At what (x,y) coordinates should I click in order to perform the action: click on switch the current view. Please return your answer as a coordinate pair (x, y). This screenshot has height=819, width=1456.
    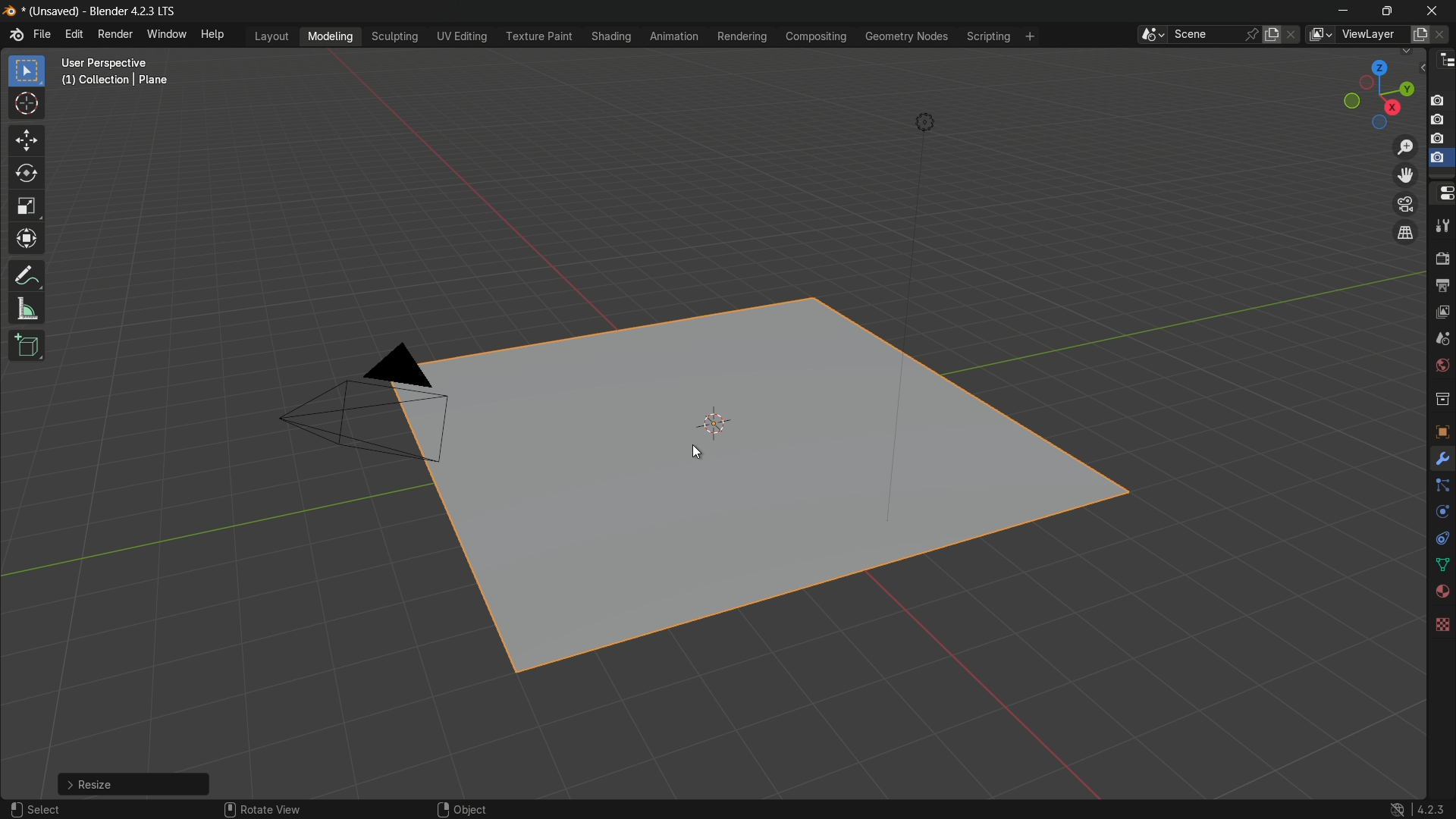
    Looking at the image, I should click on (1407, 232).